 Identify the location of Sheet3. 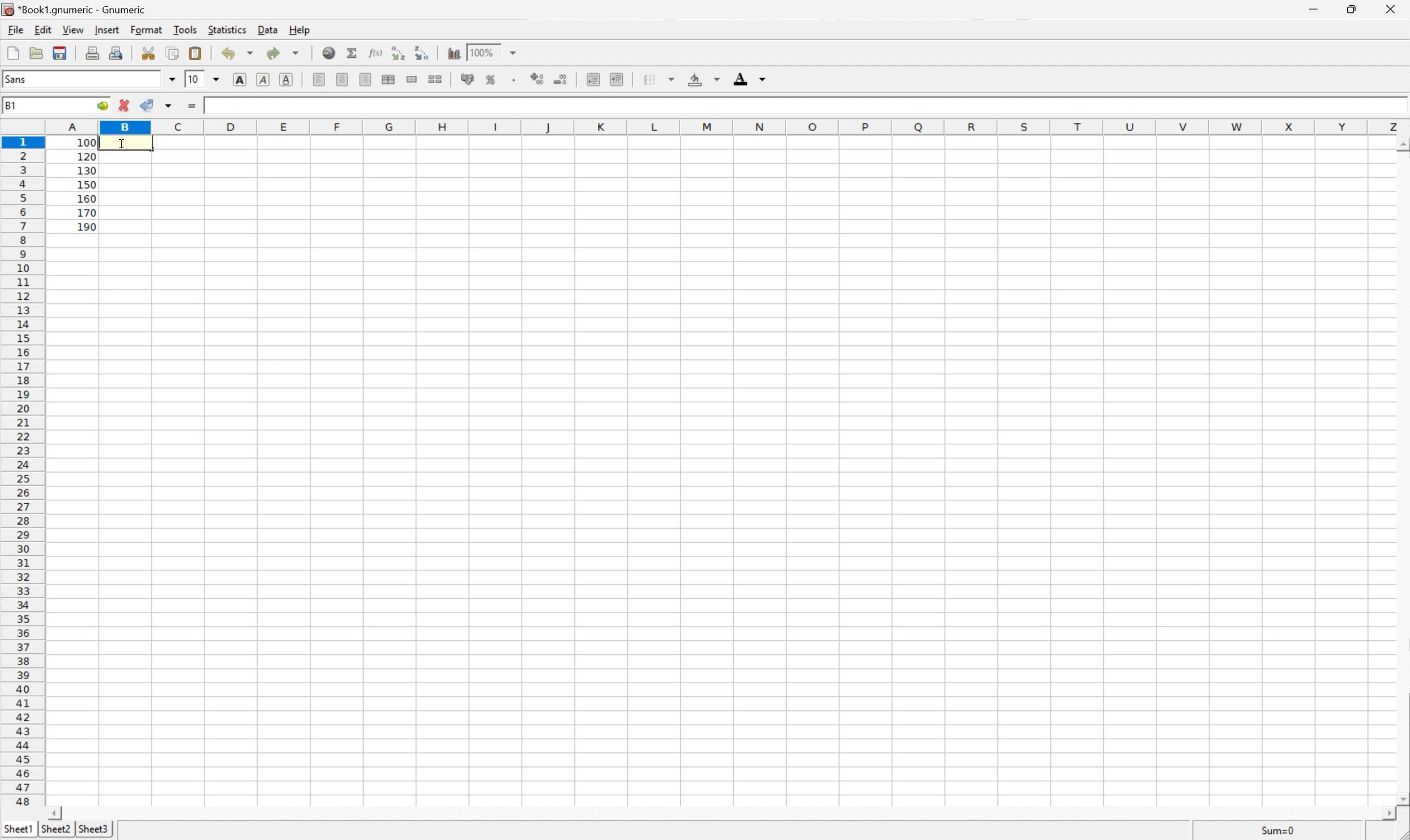
(96, 830).